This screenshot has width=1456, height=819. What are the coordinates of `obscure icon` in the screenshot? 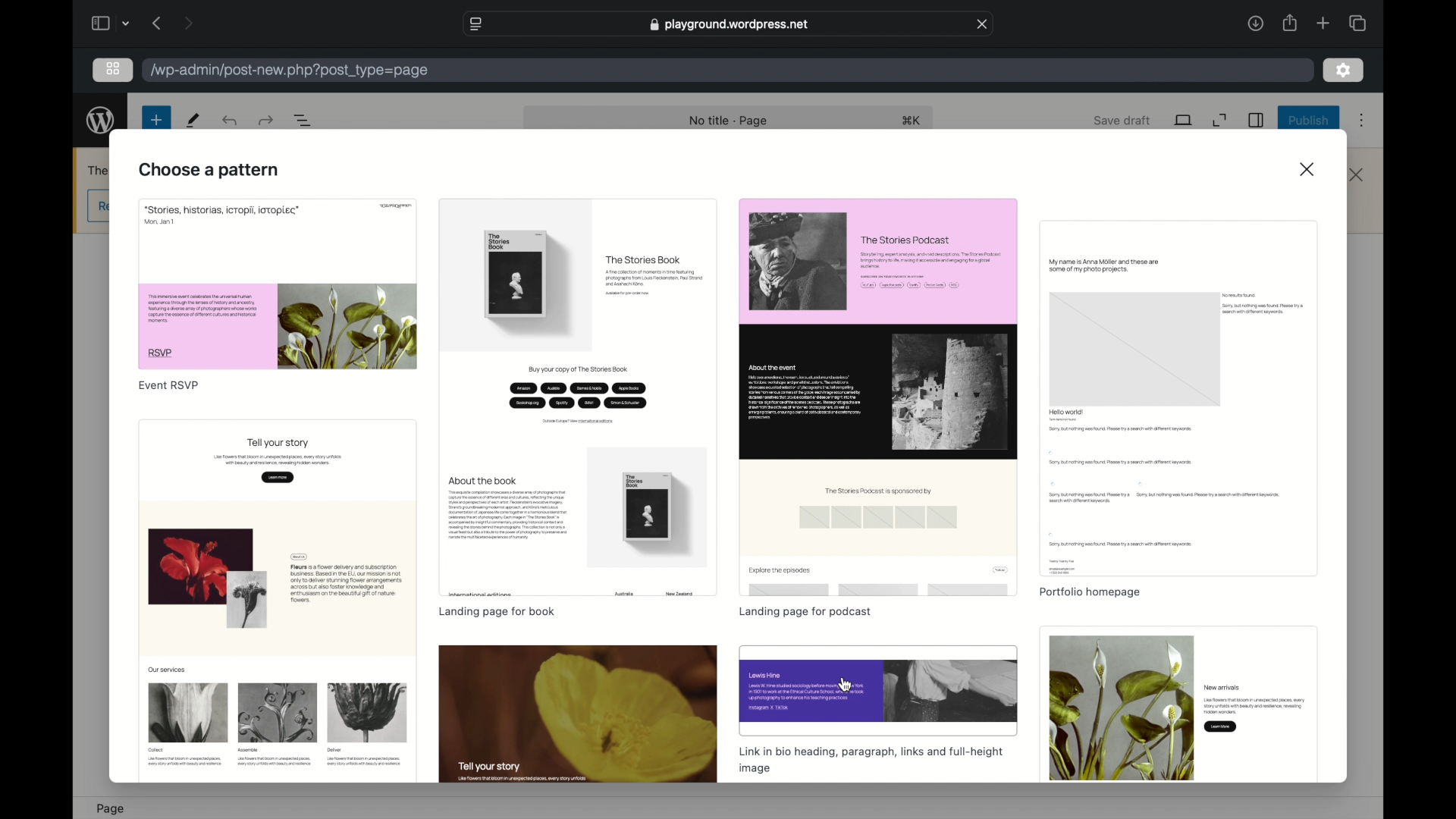 It's located at (101, 206).